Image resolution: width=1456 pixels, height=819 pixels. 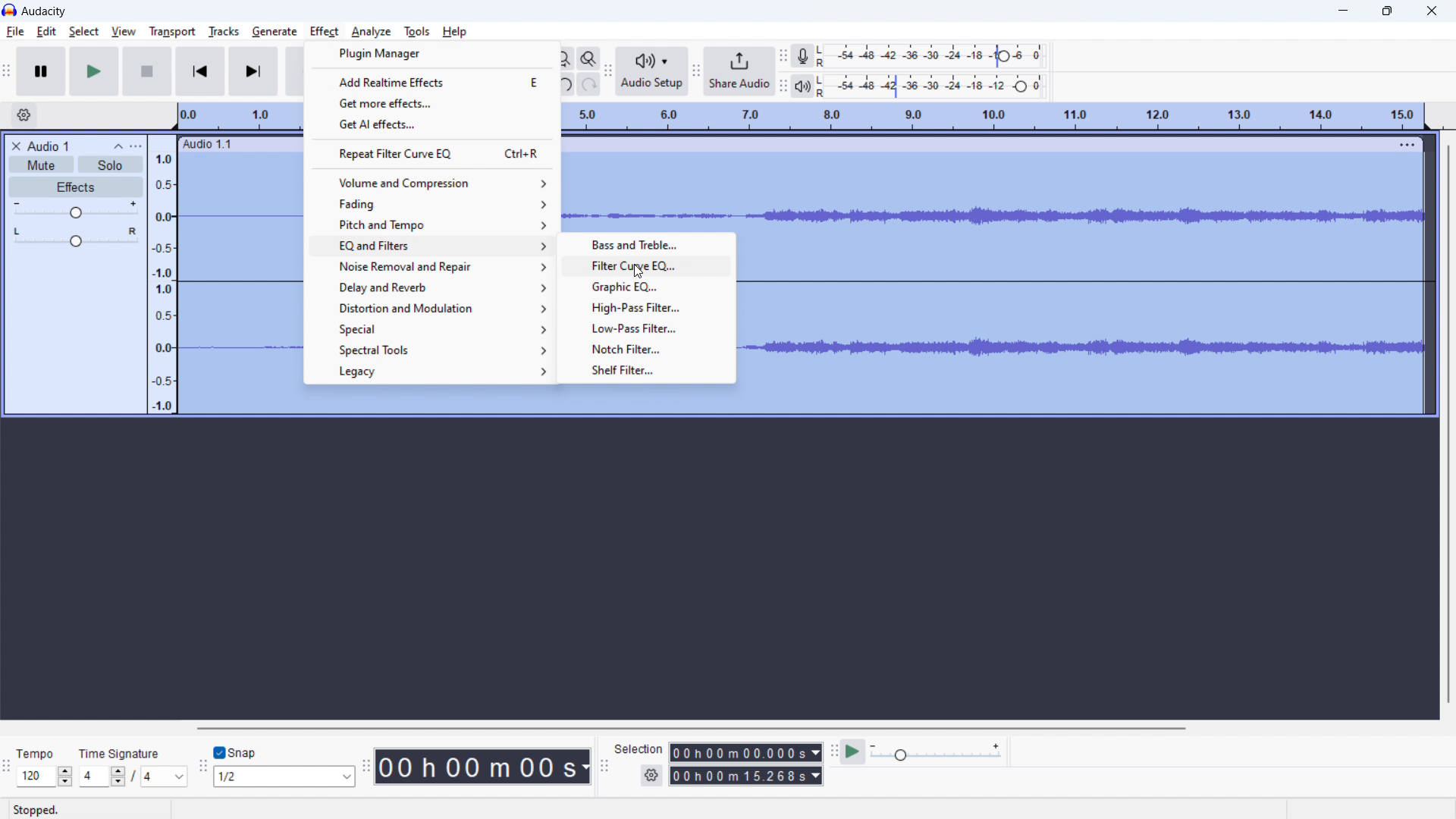 I want to click on tracks, so click(x=224, y=32).